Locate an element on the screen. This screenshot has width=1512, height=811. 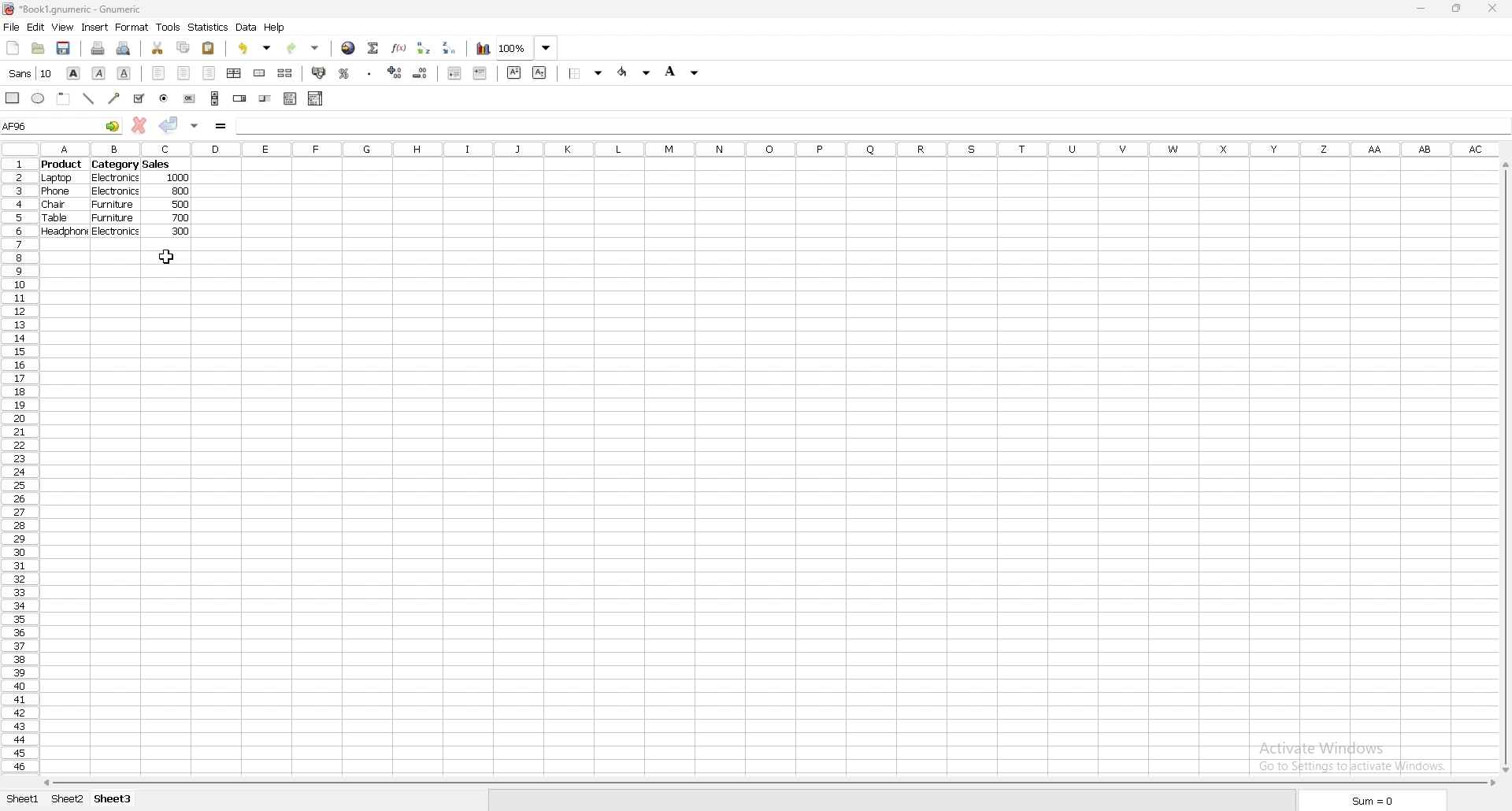
data is located at coordinates (246, 27).